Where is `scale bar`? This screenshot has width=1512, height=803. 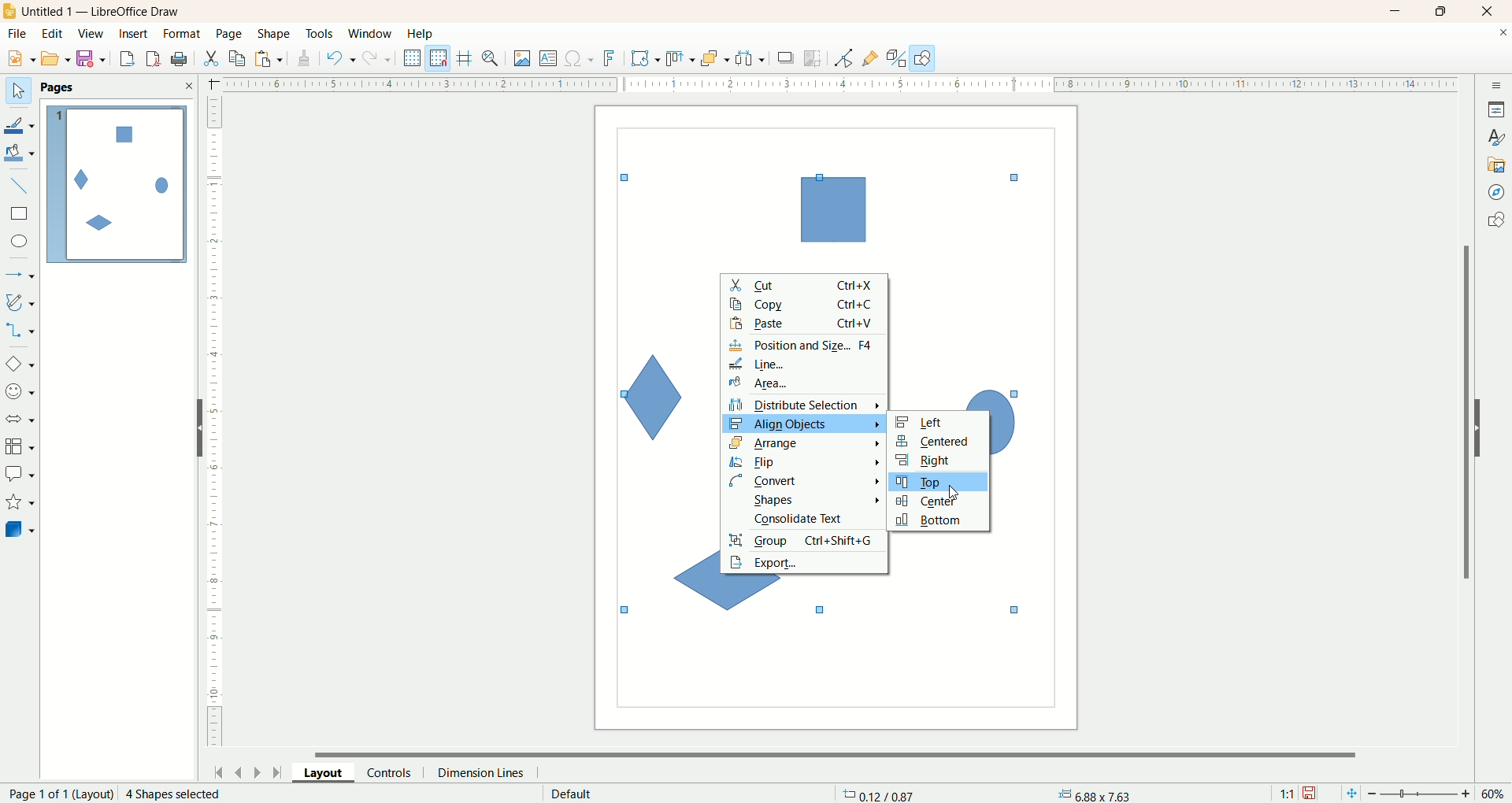 scale bar is located at coordinates (829, 83).